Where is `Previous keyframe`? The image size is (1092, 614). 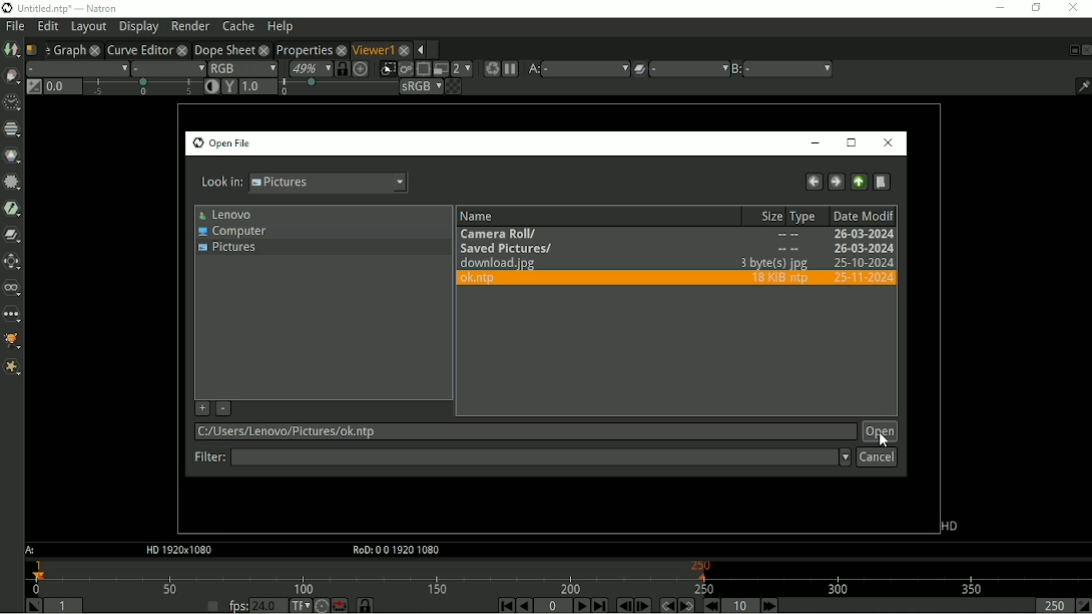 Previous keyframe is located at coordinates (665, 605).